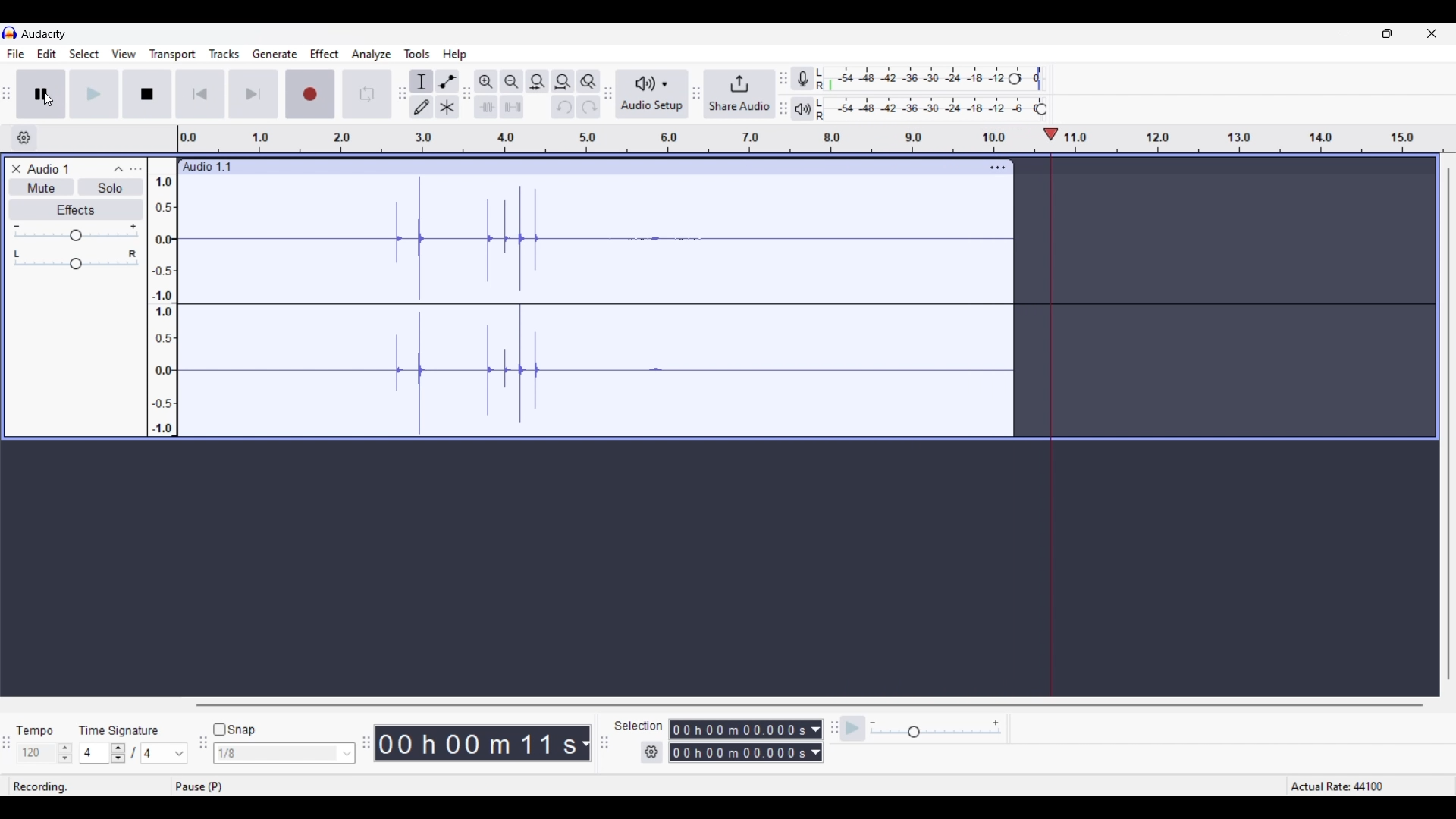 This screenshot has height=819, width=1456. What do you see at coordinates (15, 55) in the screenshot?
I see `File menu` at bounding box center [15, 55].